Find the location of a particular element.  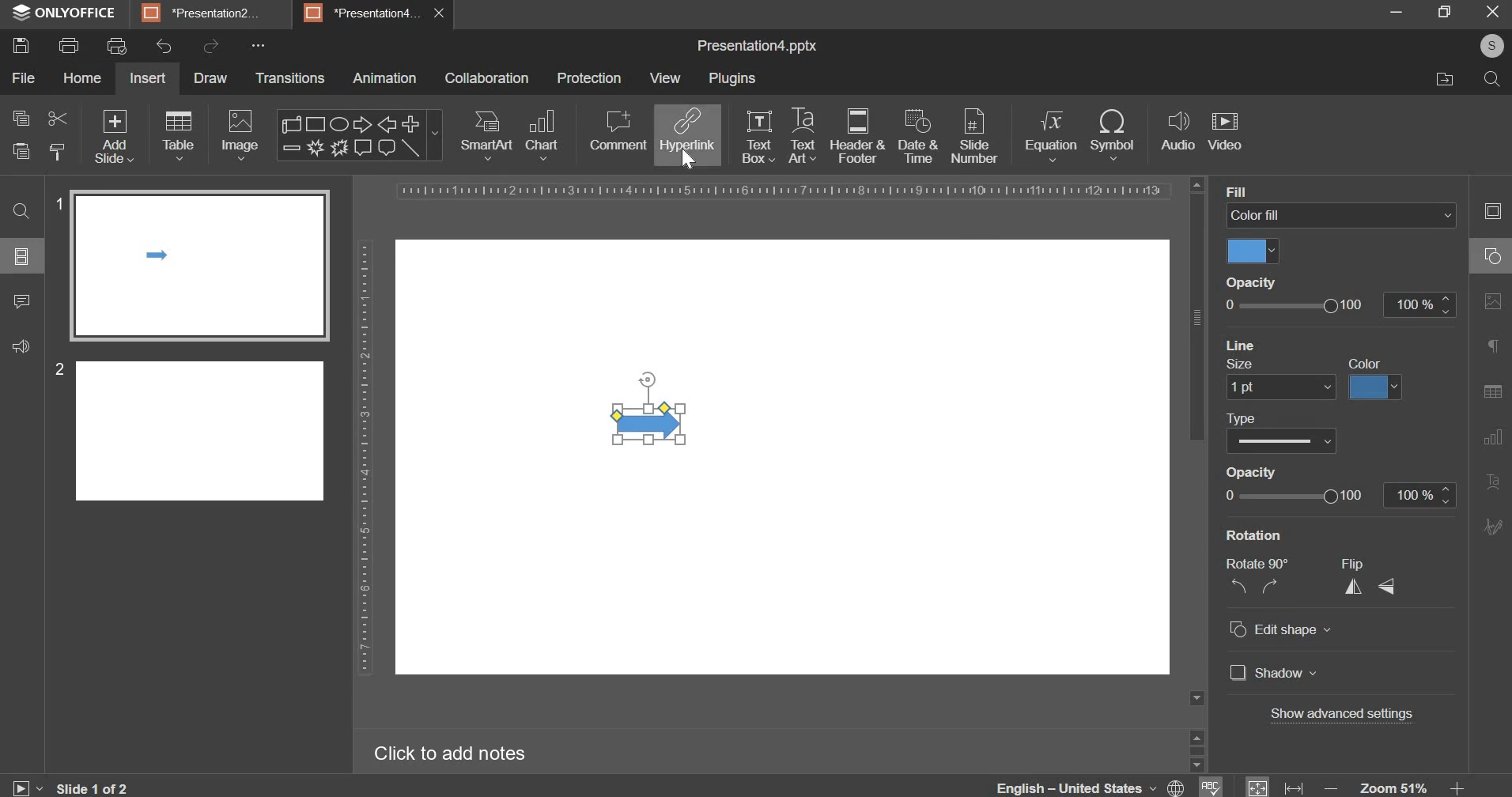

text art is located at coordinates (800, 136).